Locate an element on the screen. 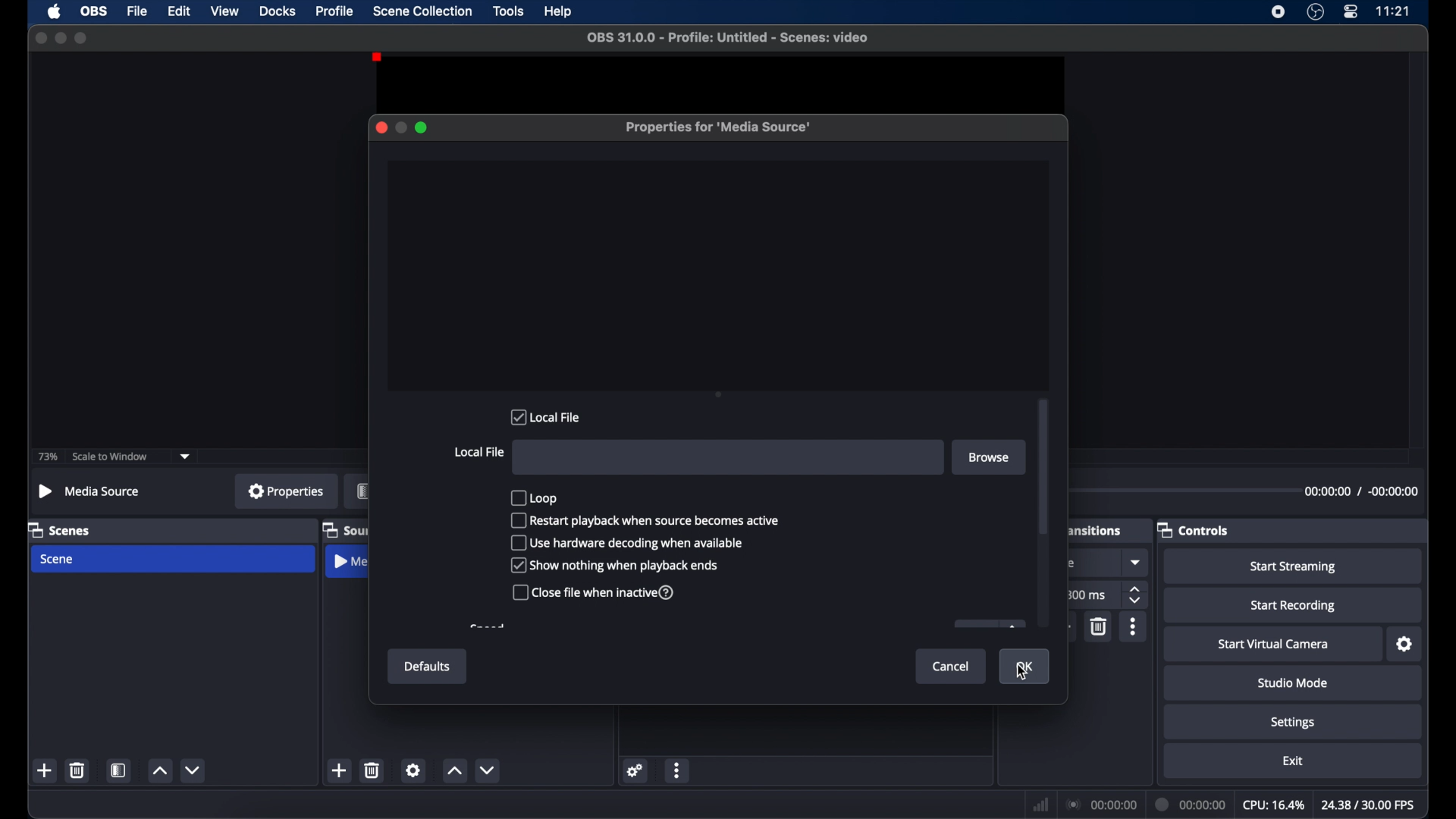  cursor is located at coordinates (1021, 673).